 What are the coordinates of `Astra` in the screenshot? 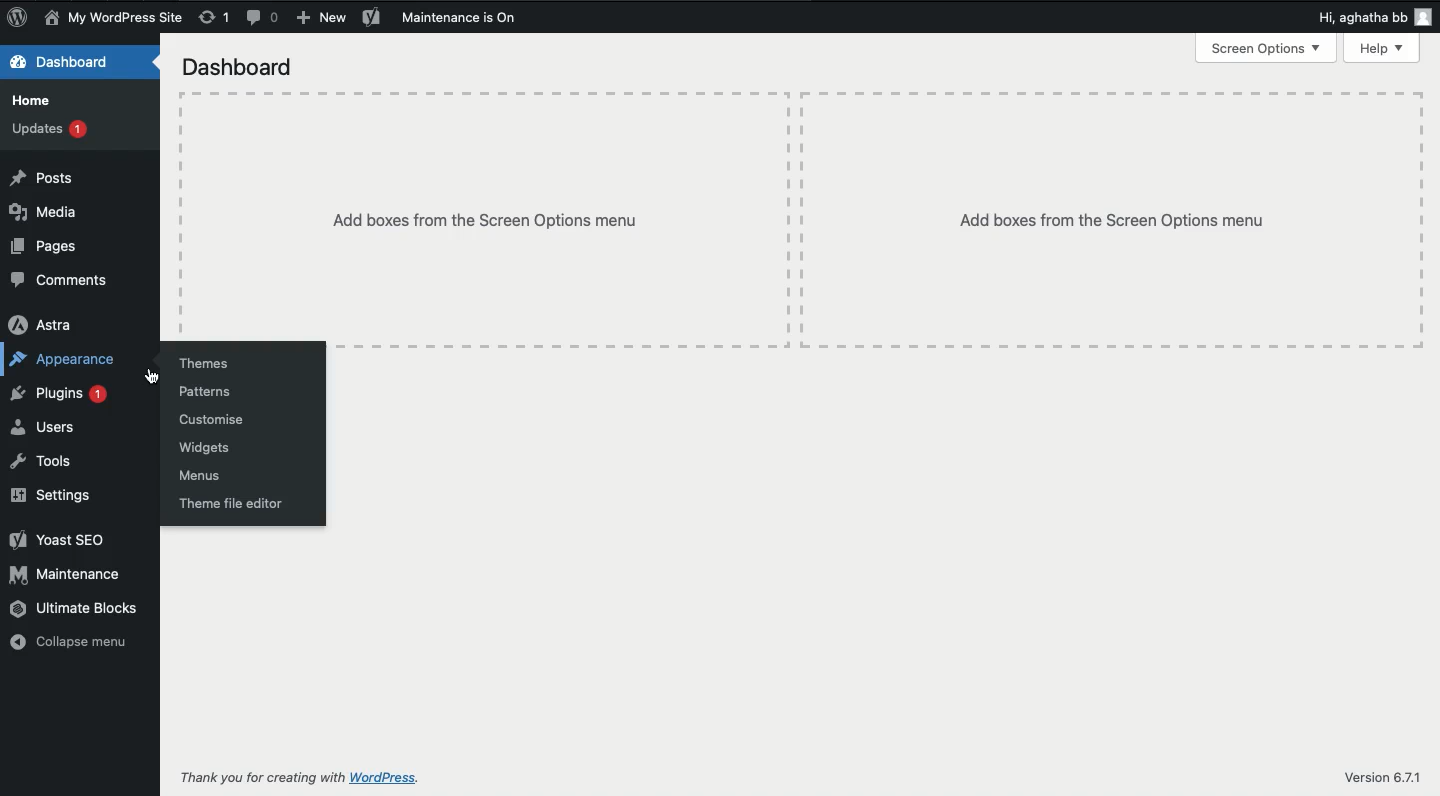 It's located at (44, 325).